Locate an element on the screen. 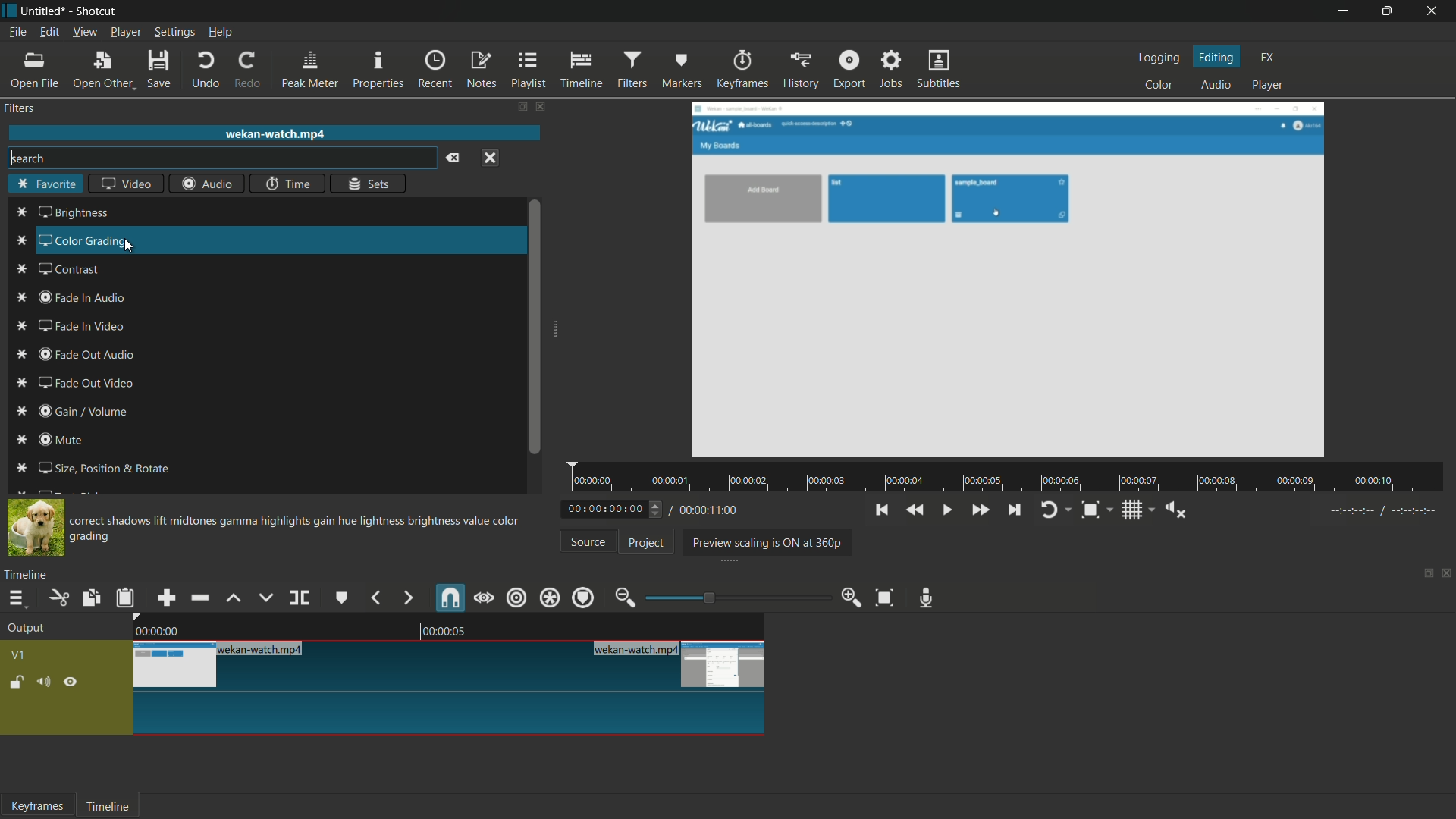 The width and height of the screenshot is (1456, 819). app name is located at coordinates (98, 12).